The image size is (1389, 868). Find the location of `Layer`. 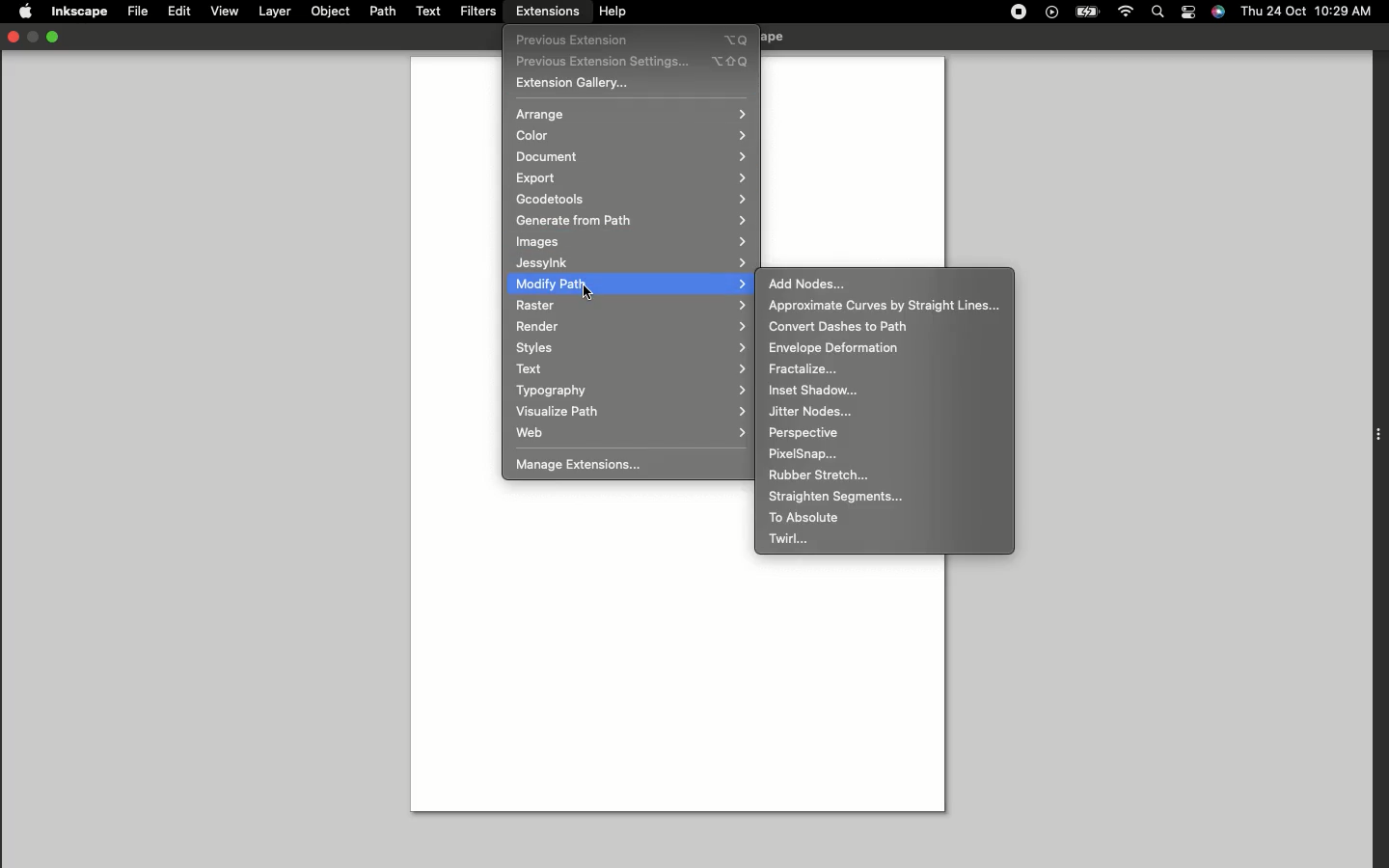

Layer is located at coordinates (277, 13).